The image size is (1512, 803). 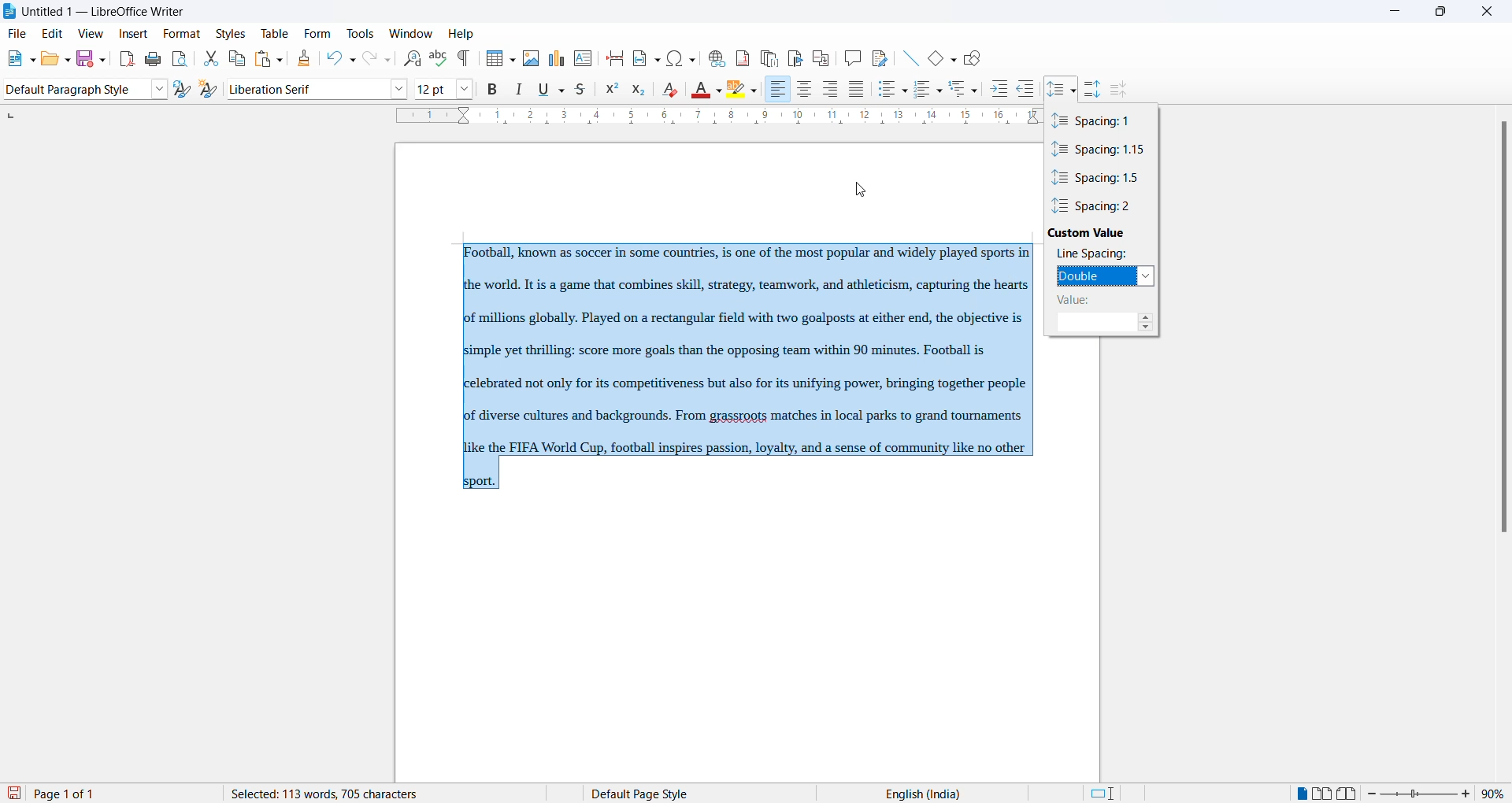 What do you see at coordinates (1054, 90) in the screenshot?
I see `line spacing` at bounding box center [1054, 90].